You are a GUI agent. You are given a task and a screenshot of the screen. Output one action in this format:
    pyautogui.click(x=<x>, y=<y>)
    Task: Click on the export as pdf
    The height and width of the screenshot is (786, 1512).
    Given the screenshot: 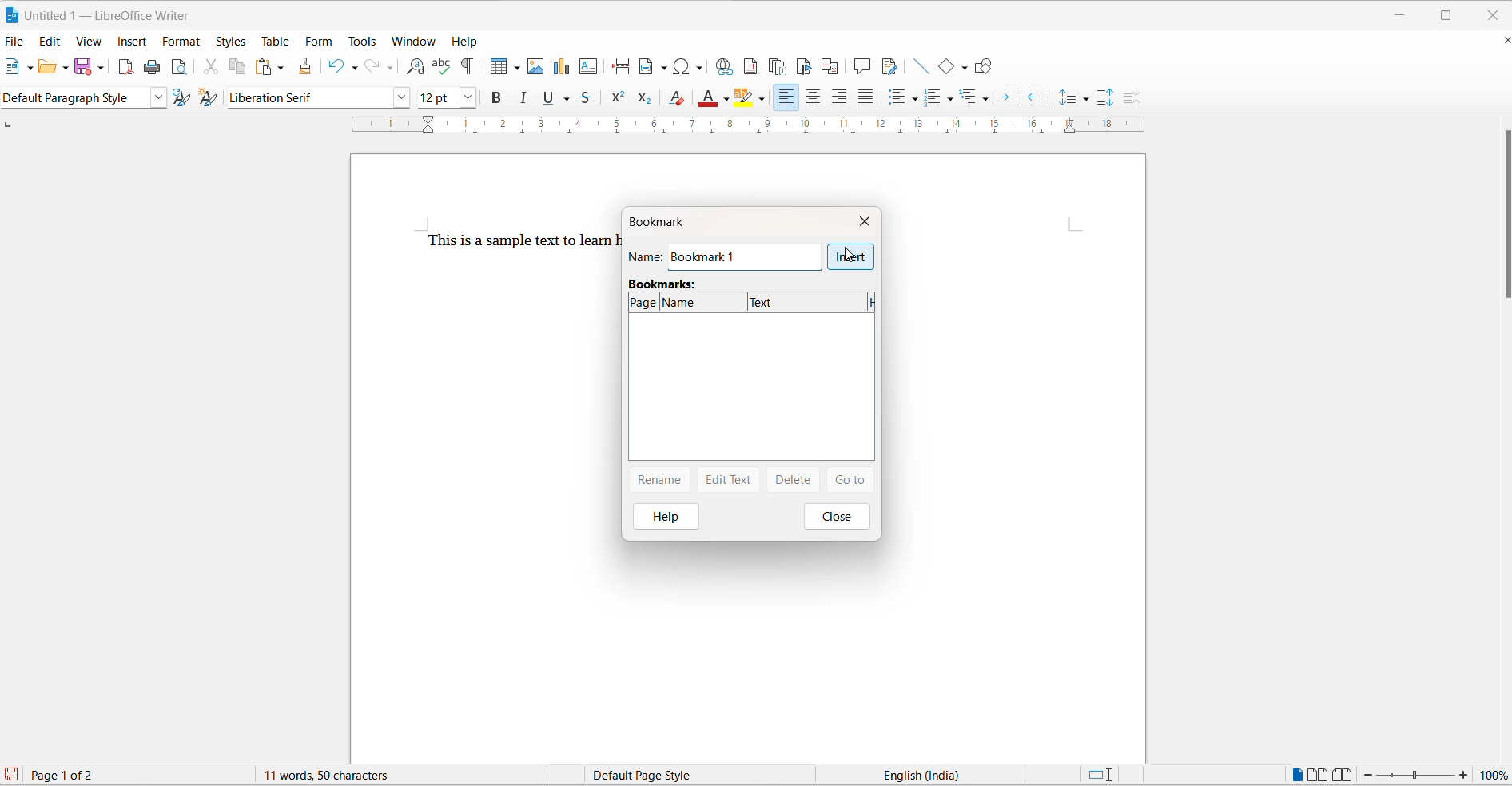 What is the action you would take?
    pyautogui.click(x=127, y=69)
    